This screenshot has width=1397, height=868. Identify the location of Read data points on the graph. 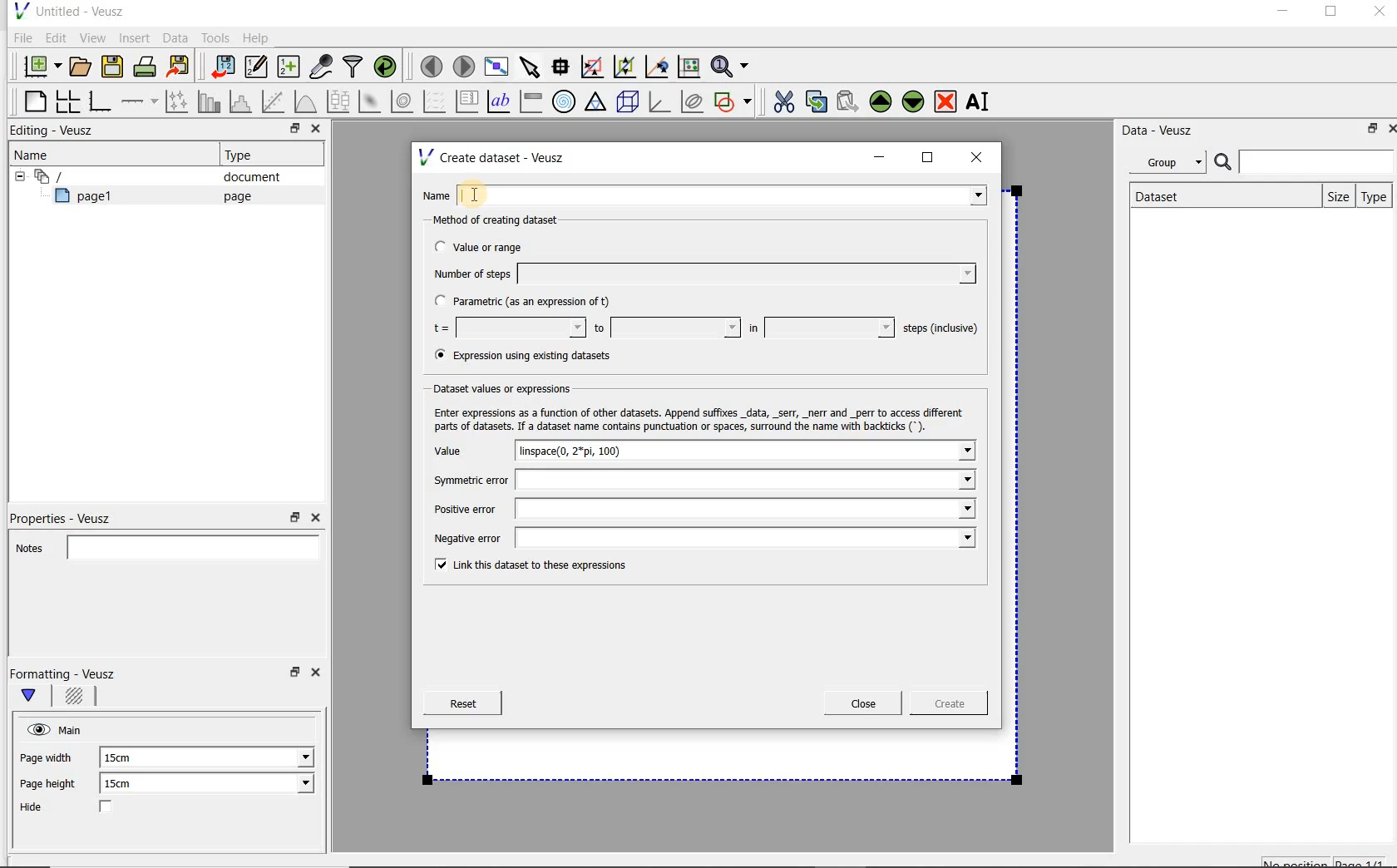
(563, 67).